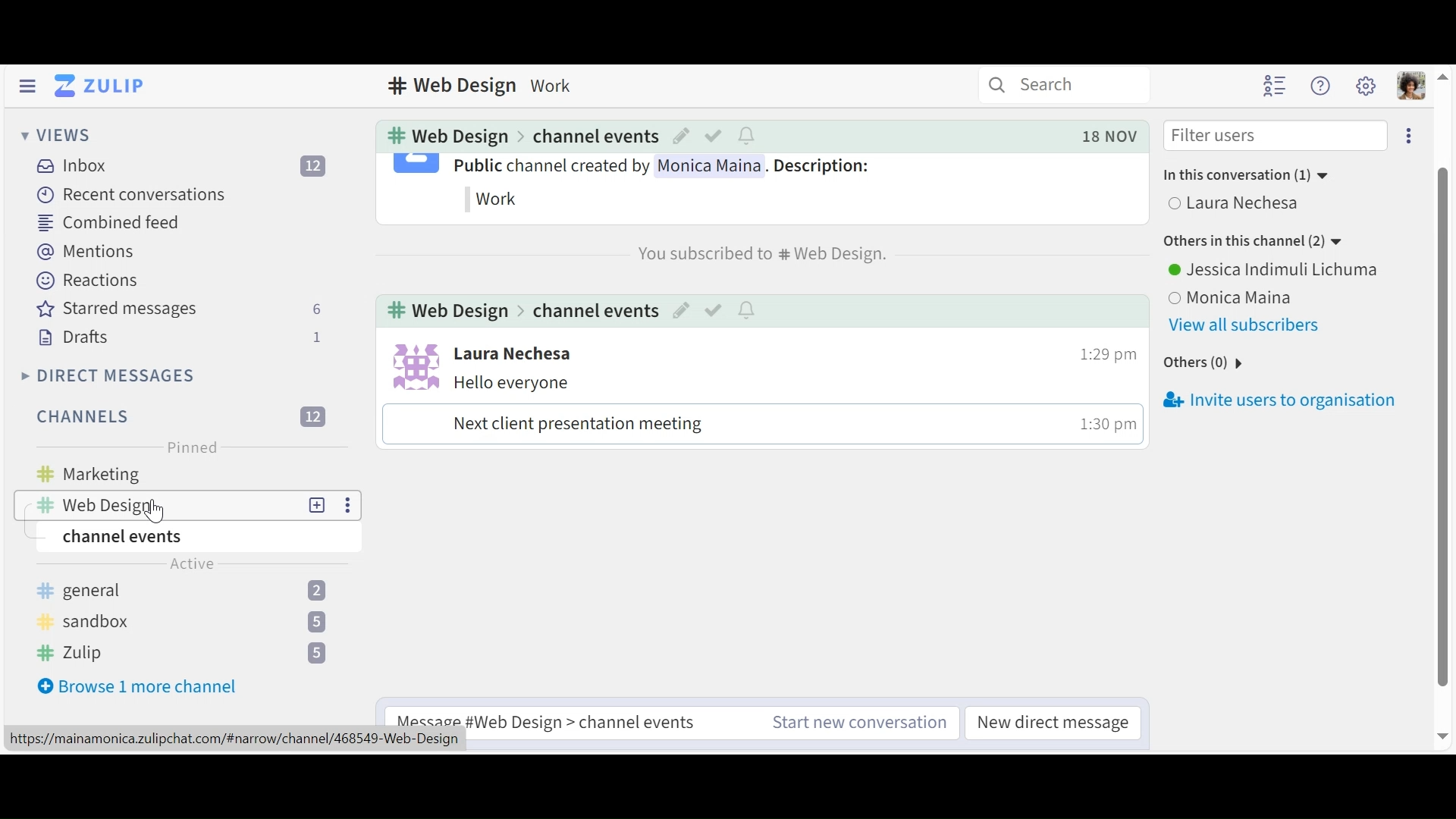 The width and height of the screenshot is (1456, 819). I want to click on Combined feed, so click(108, 221).